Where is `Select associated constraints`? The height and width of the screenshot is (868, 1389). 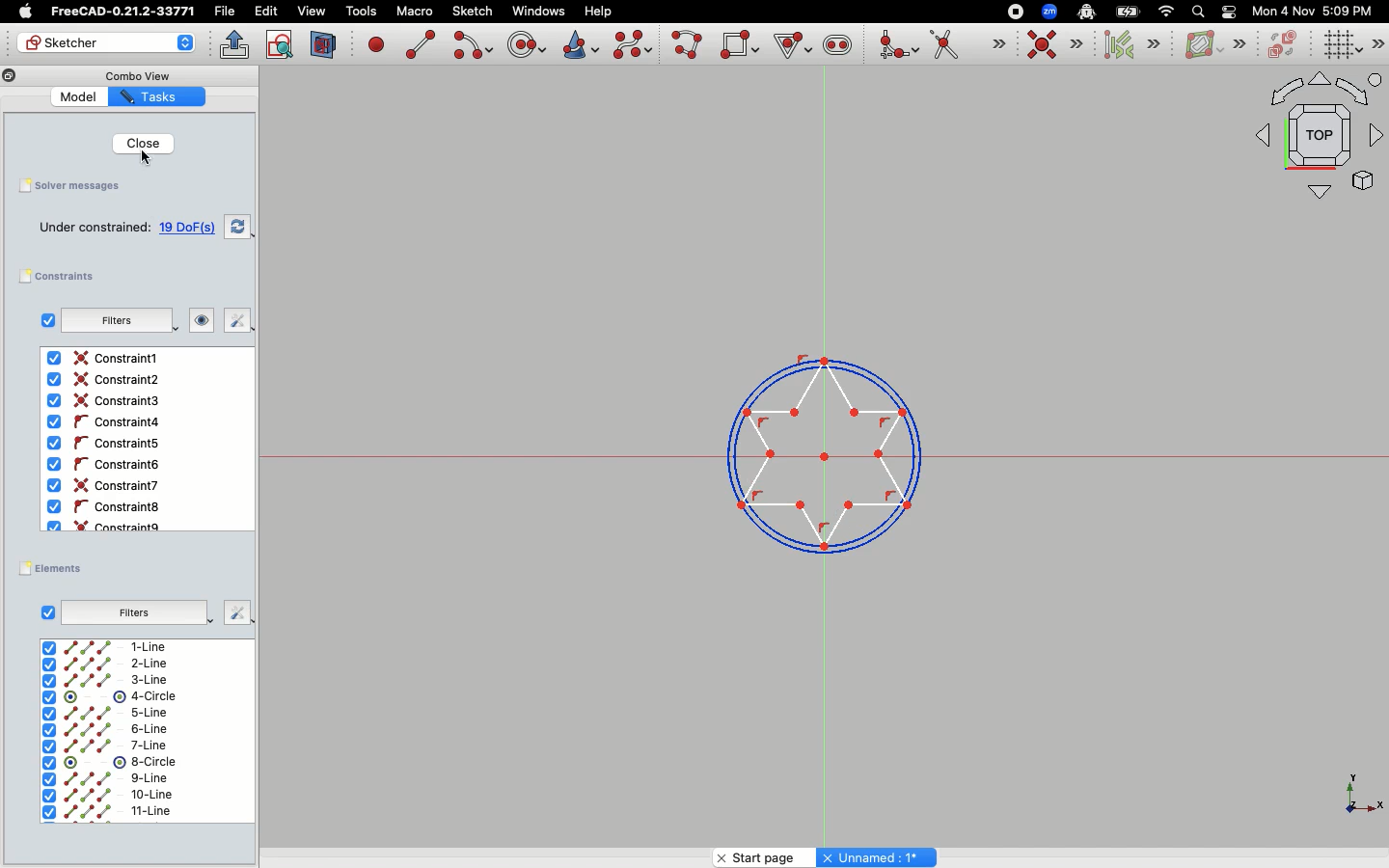 Select associated constraints is located at coordinates (1129, 44).